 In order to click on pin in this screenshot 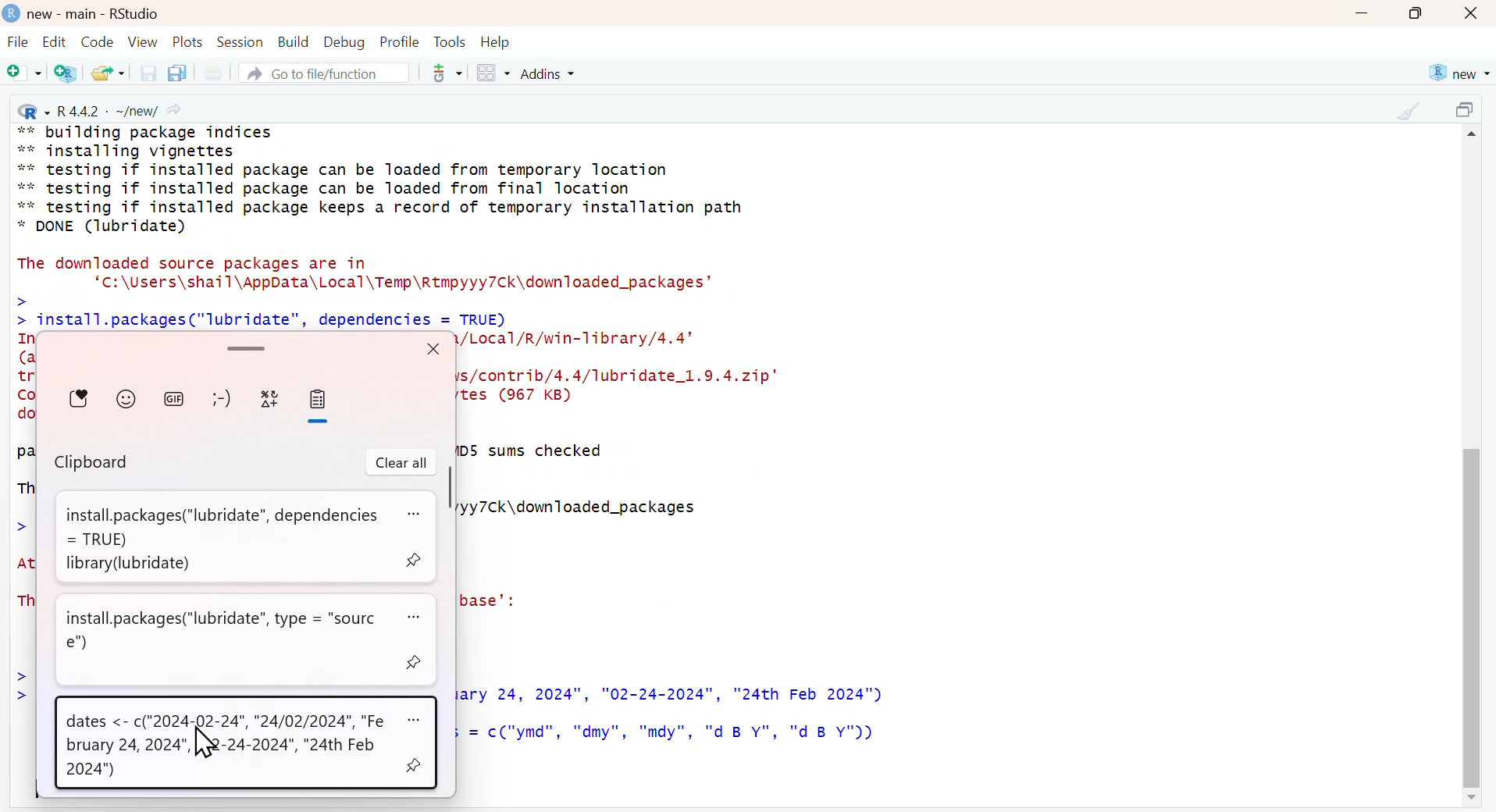, I will do `click(416, 560)`.